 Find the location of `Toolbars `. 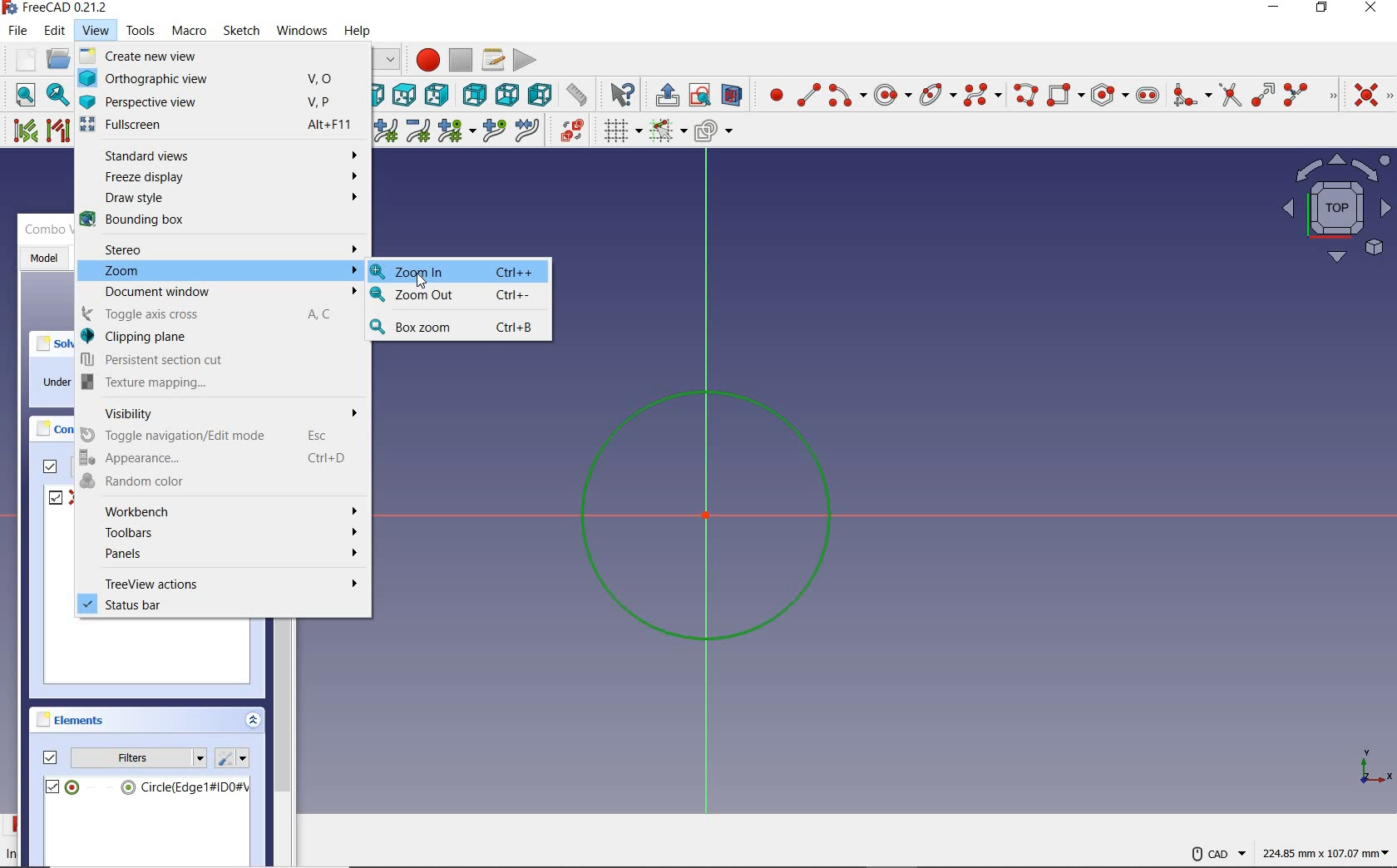

Toolbars  is located at coordinates (223, 533).